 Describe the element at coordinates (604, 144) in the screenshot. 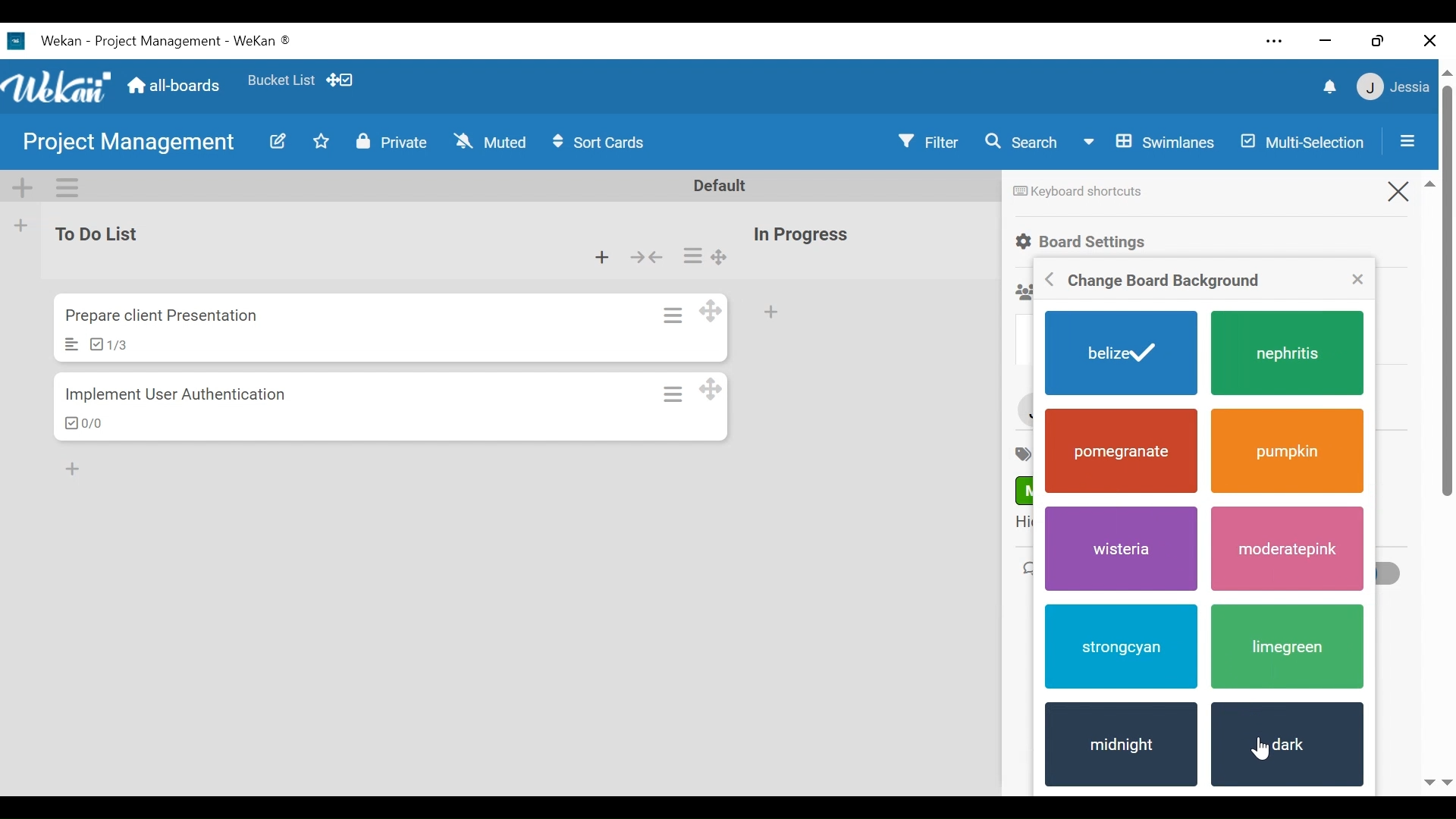

I see `Sort Cards` at that location.